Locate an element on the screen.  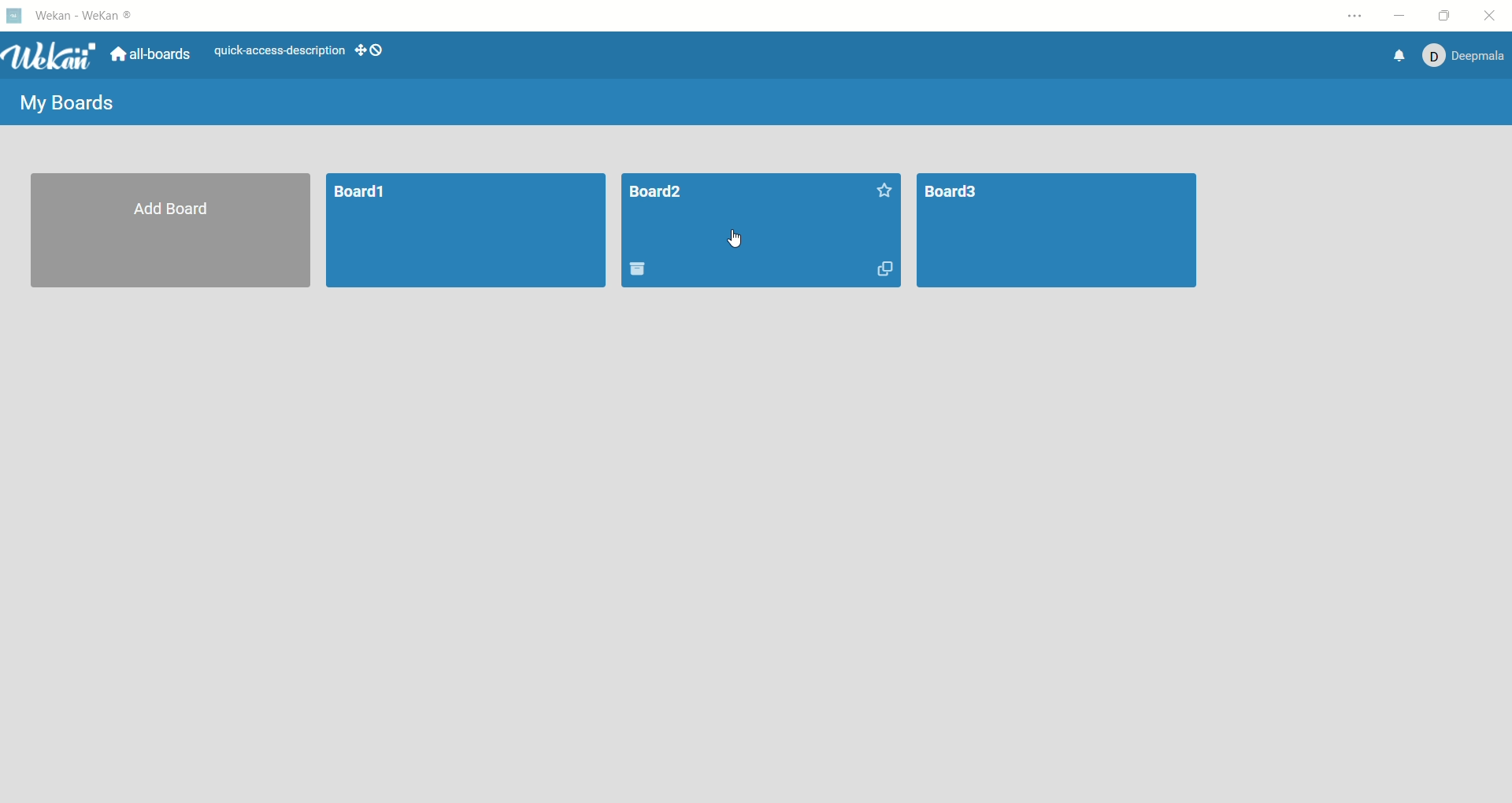
favorite is located at coordinates (872, 190).